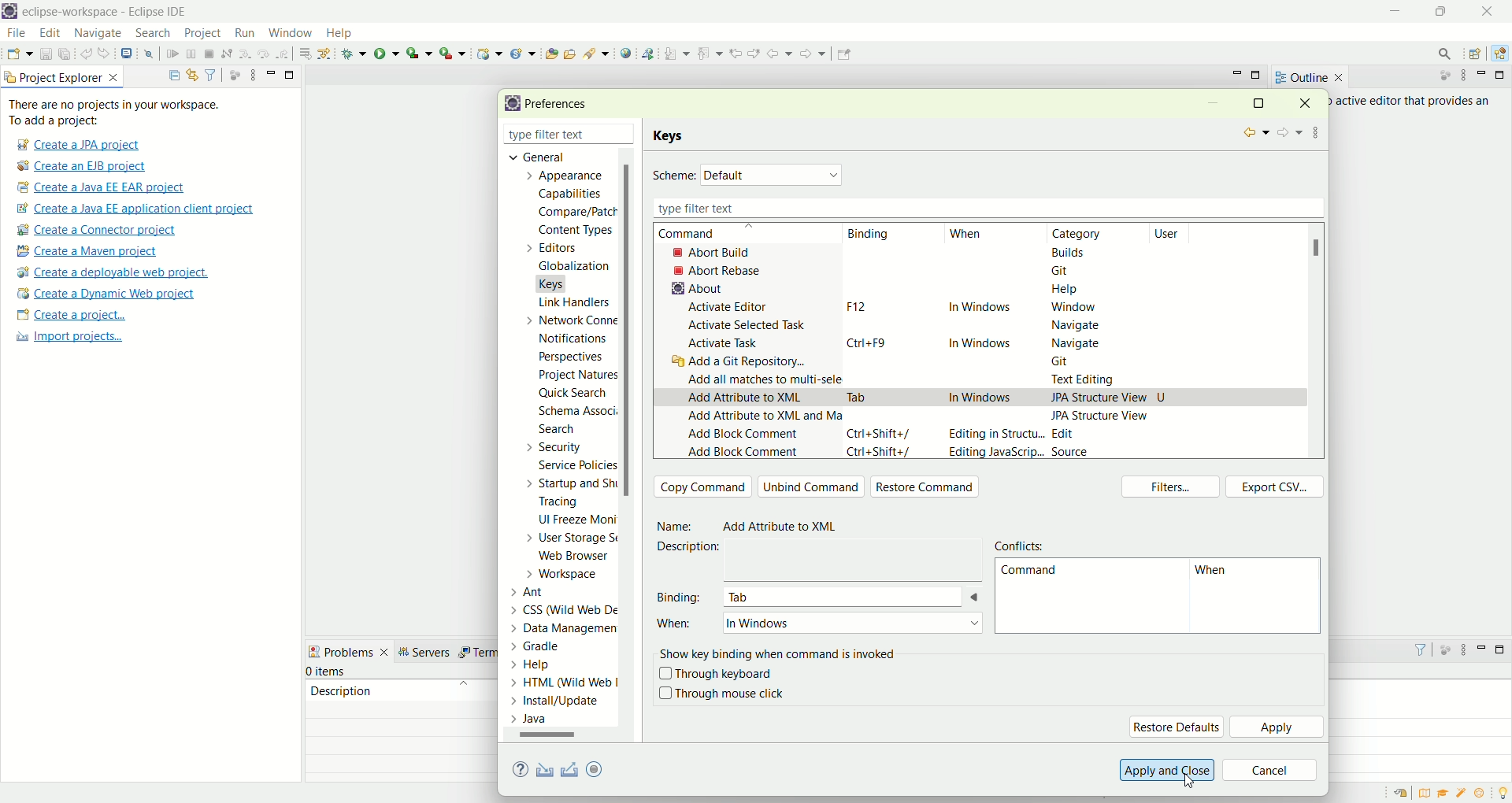 This screenshot has height=803, width=1512. Describe the element at coordinates (713, 52) in the screenshot. I see `previous annotation` at that location.